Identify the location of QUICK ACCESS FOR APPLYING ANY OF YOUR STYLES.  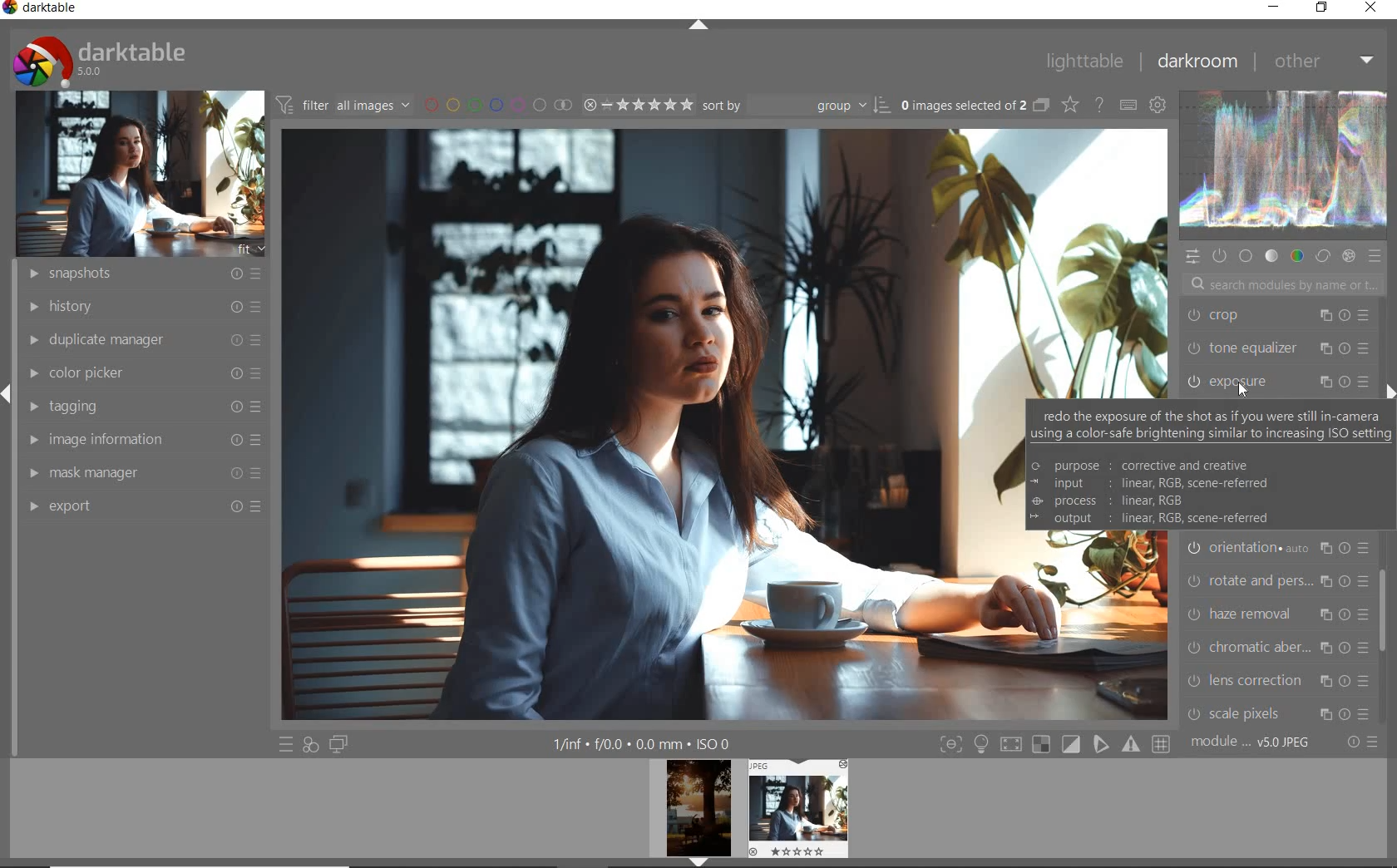
(311, 745).